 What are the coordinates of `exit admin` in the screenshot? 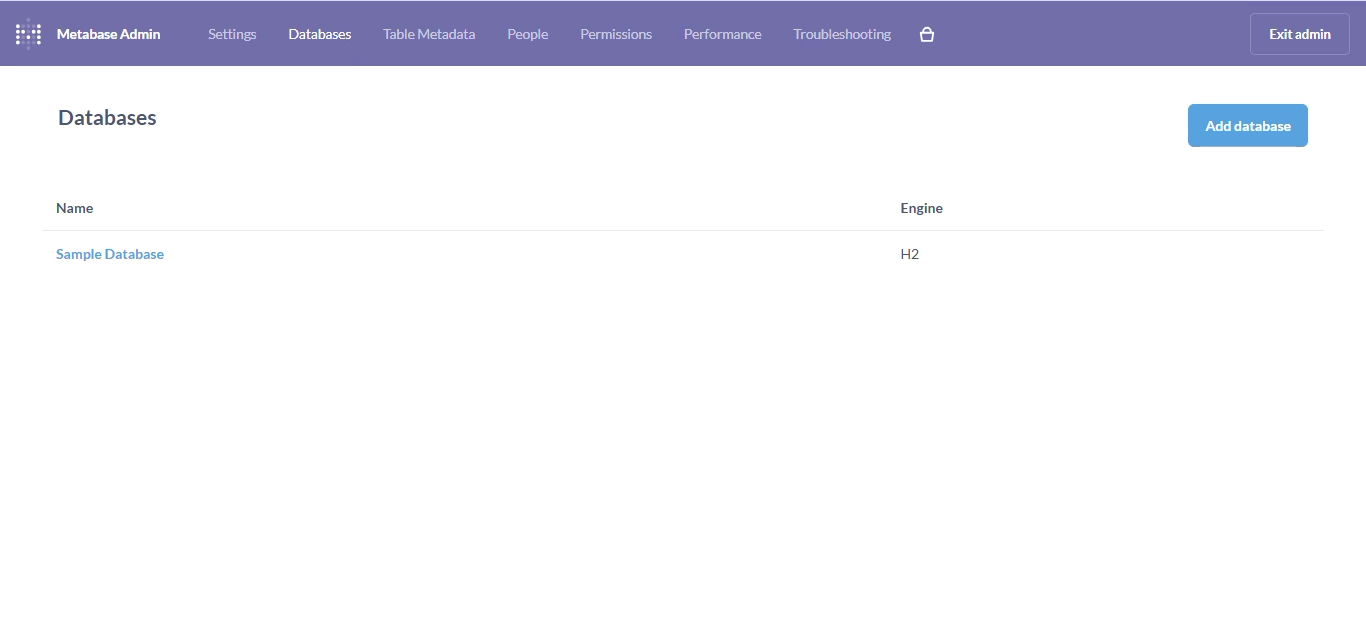 It's located at (1301, 34).